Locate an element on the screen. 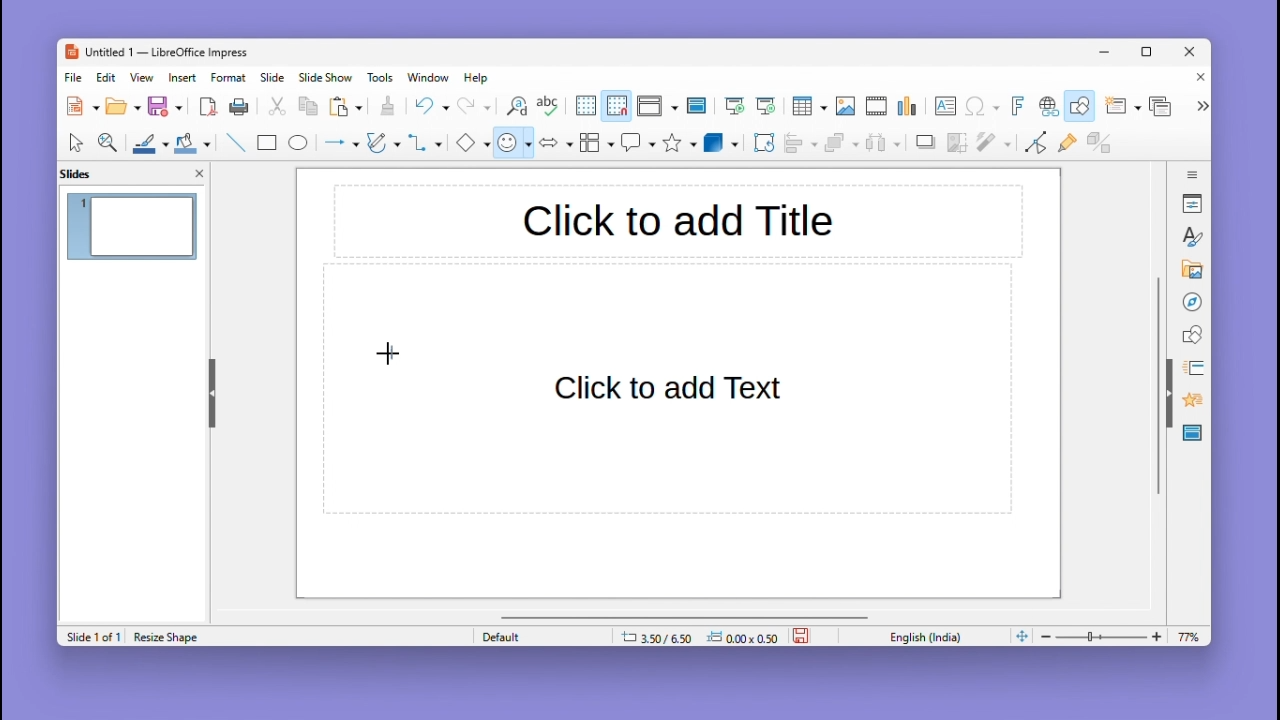  Line is located at coordinates (234, 142).